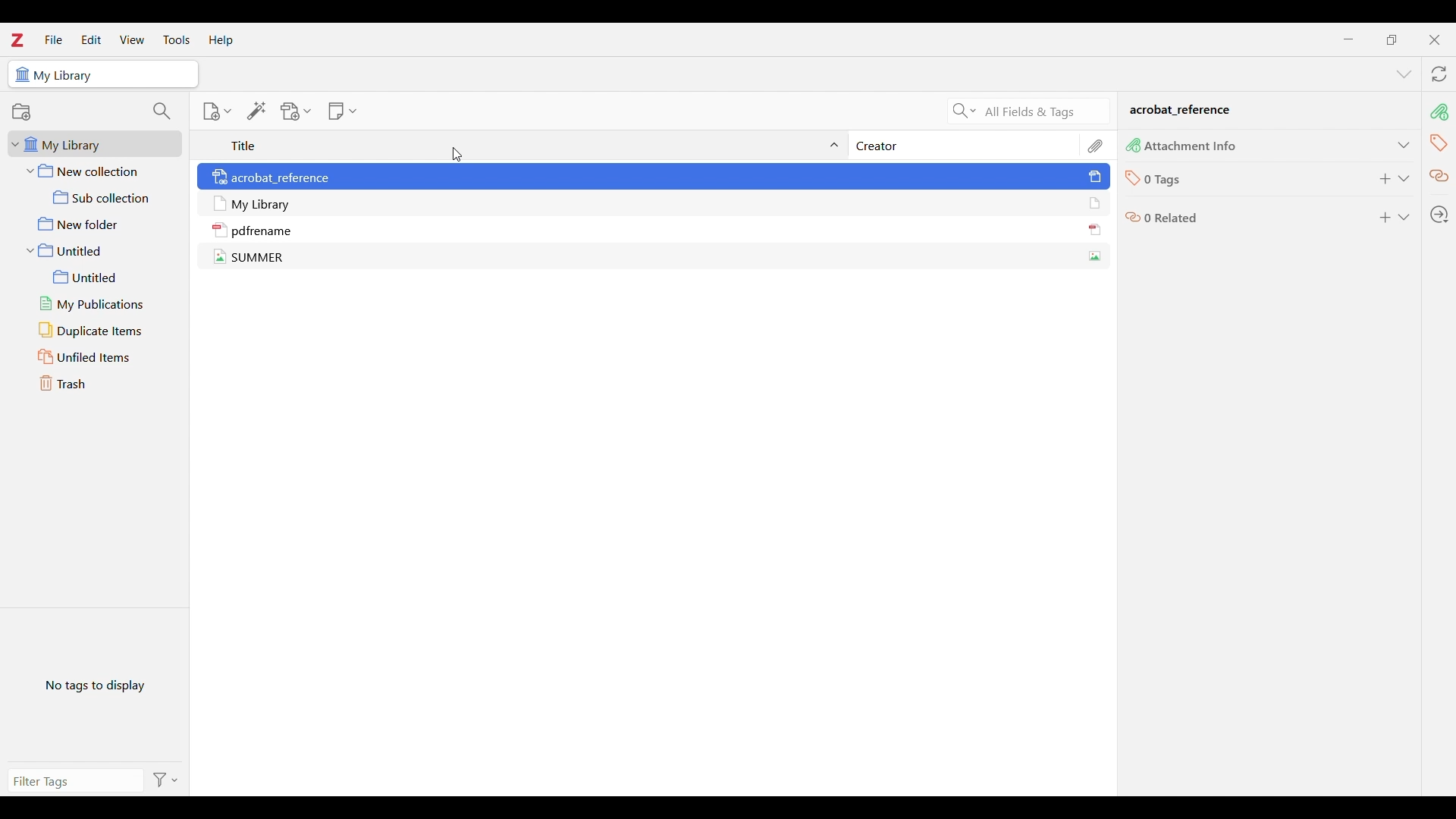  I want to click on 0 Tags, so click(1164, 180).